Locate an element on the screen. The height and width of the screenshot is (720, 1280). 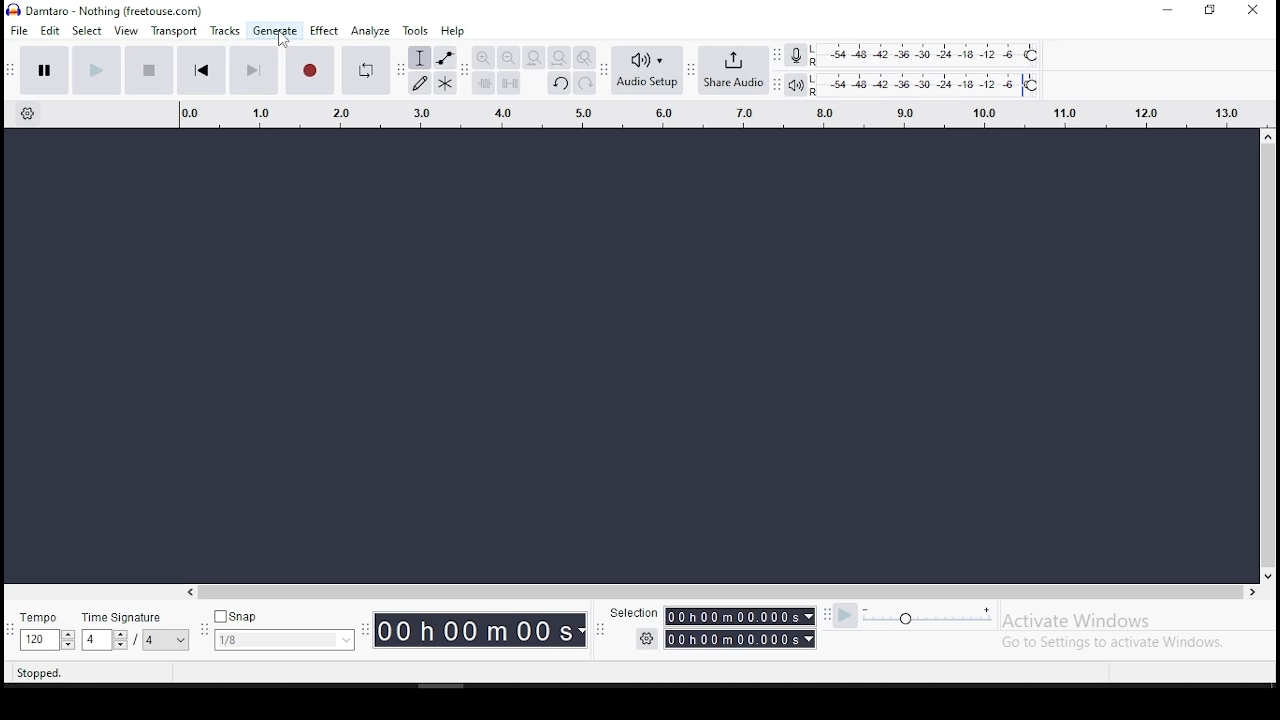
vertical range is located at coordinates (708, 111).